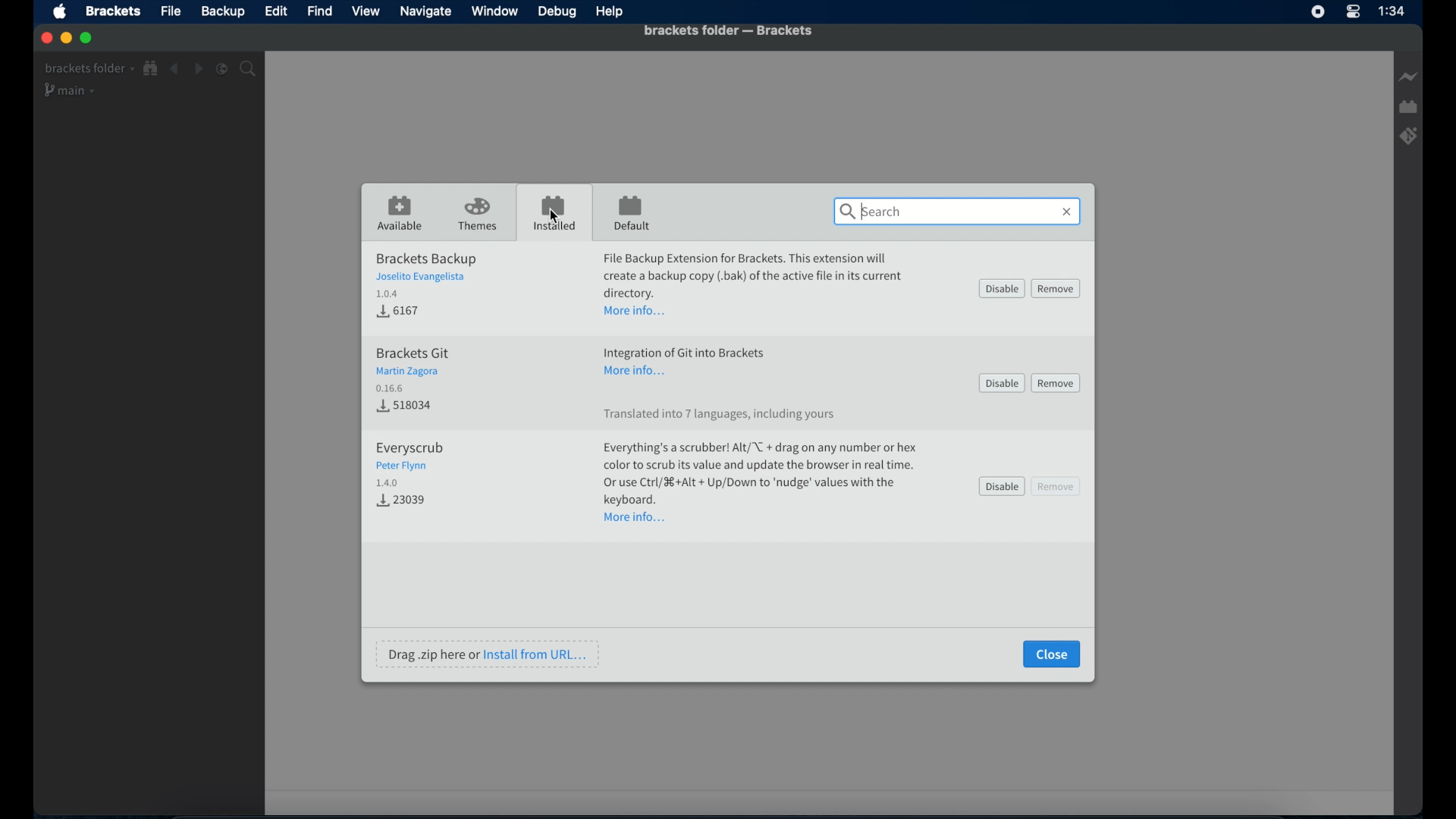 This screenshot has height=819, width=1456. What do you see at coordinates (431, 275) in the screenshot?
I see `brackets backup extension` at bounding box center [431, 275].